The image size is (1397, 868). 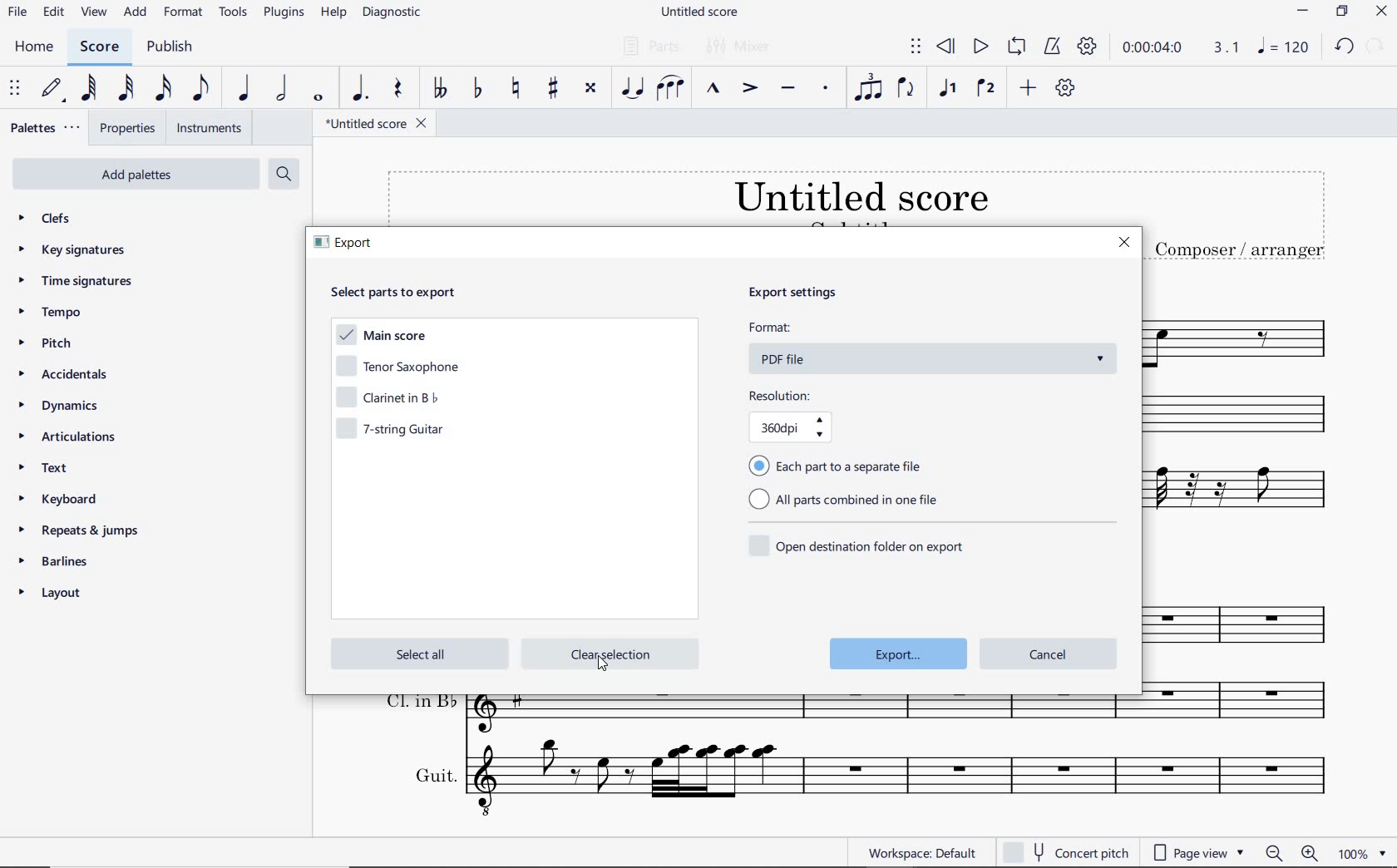 I want to click on Tenor Saxophone, so click(x=1244, y=334).